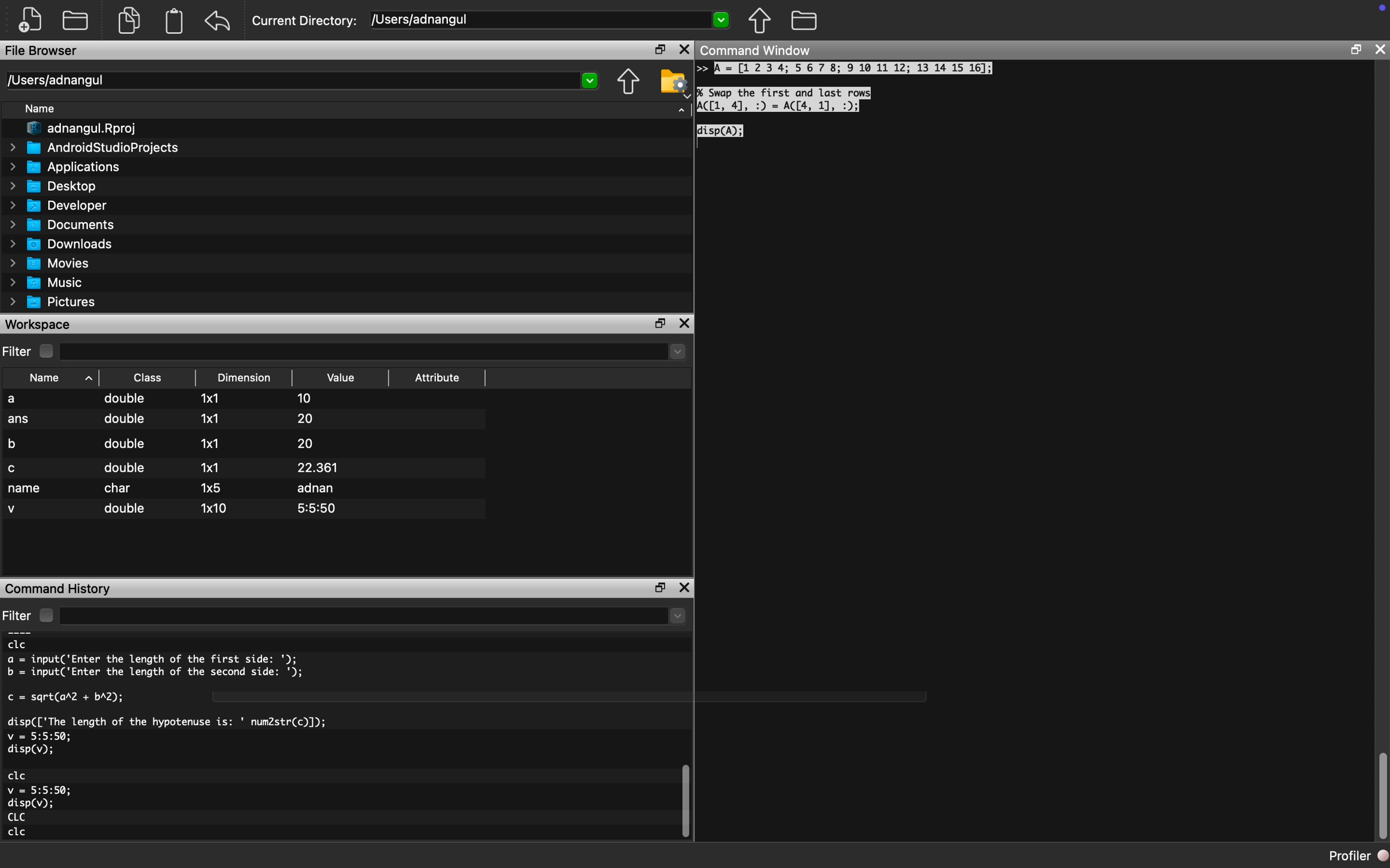  What do you see at coordinates (723, 21) in the screenshot?
I see `Dropdown` at bounding box center [723, 21].